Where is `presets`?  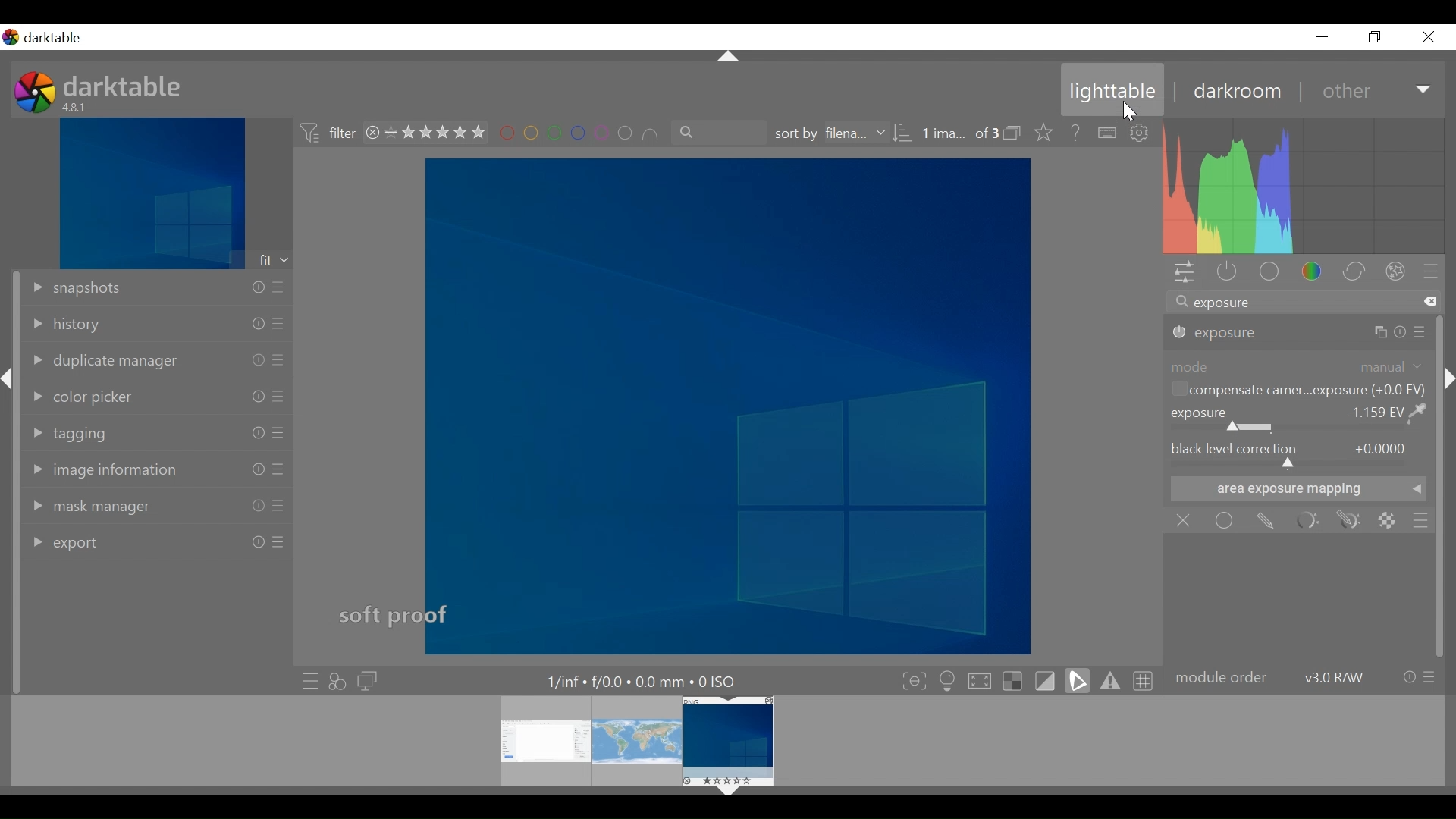 presets is located at coordinates (279, 542).